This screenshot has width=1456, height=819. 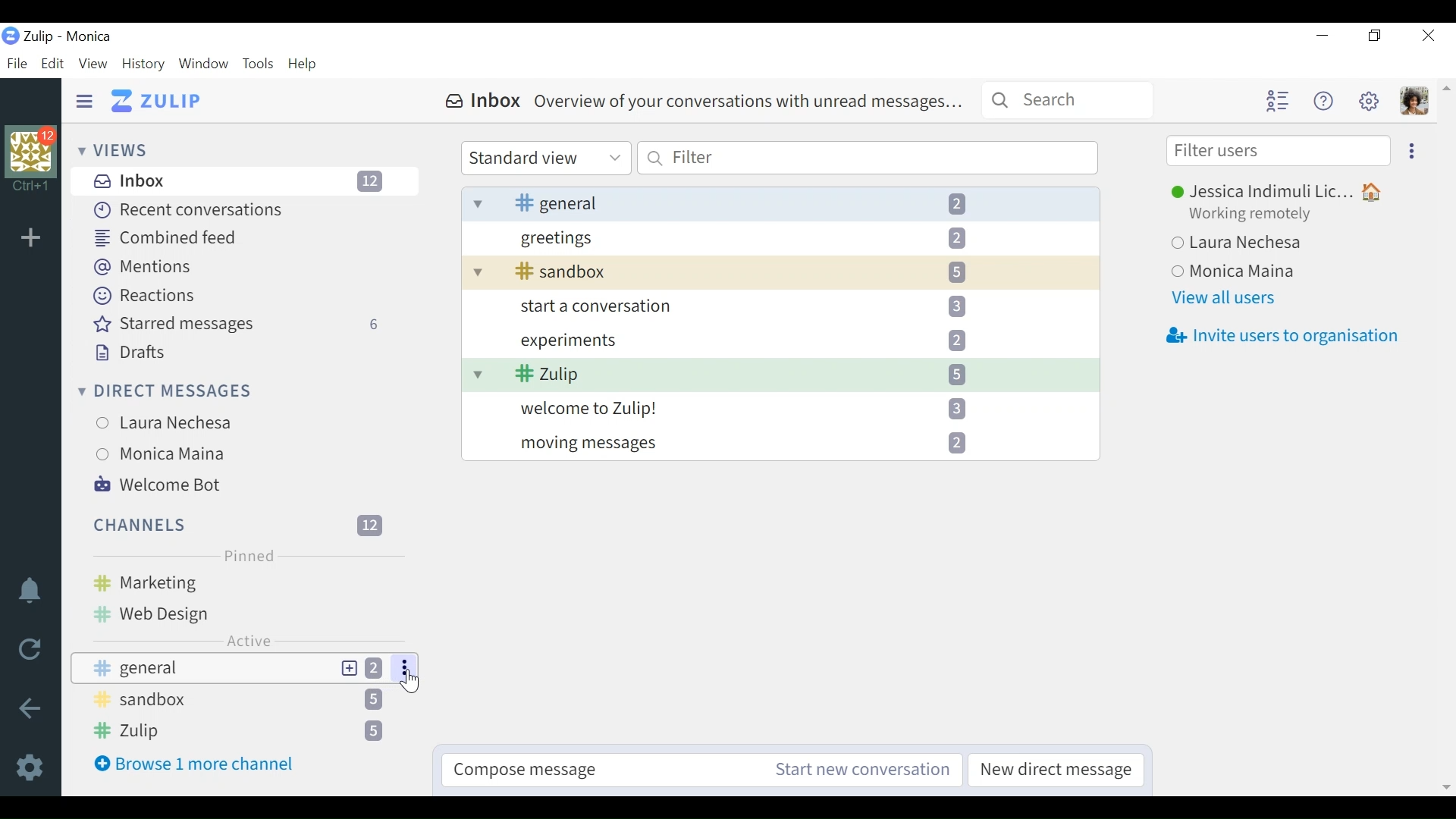 I want to click on Close, so click(x=1430, y=35).